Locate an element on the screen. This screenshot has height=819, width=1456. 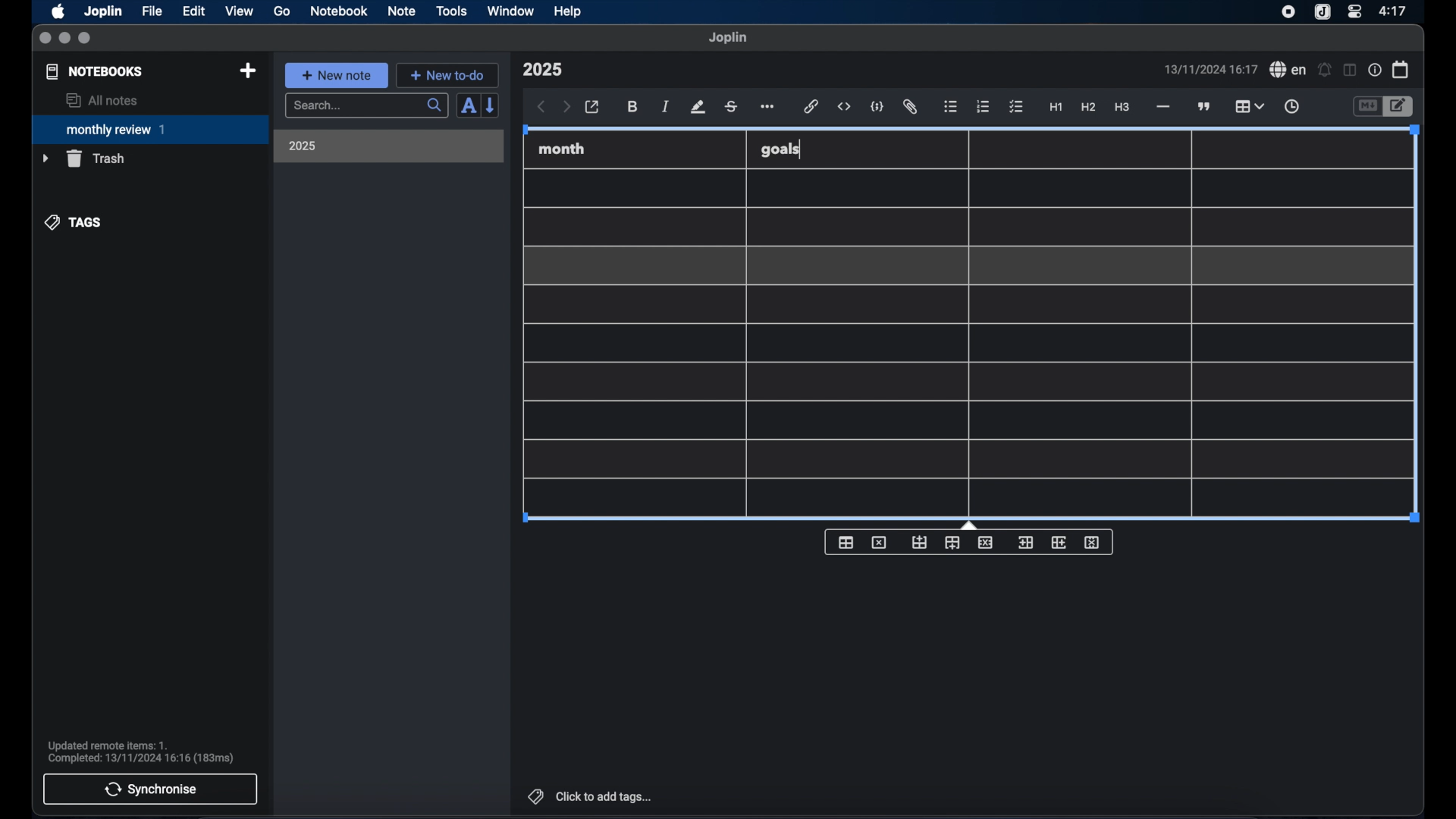
search bar is located at coordinates (366, 107).